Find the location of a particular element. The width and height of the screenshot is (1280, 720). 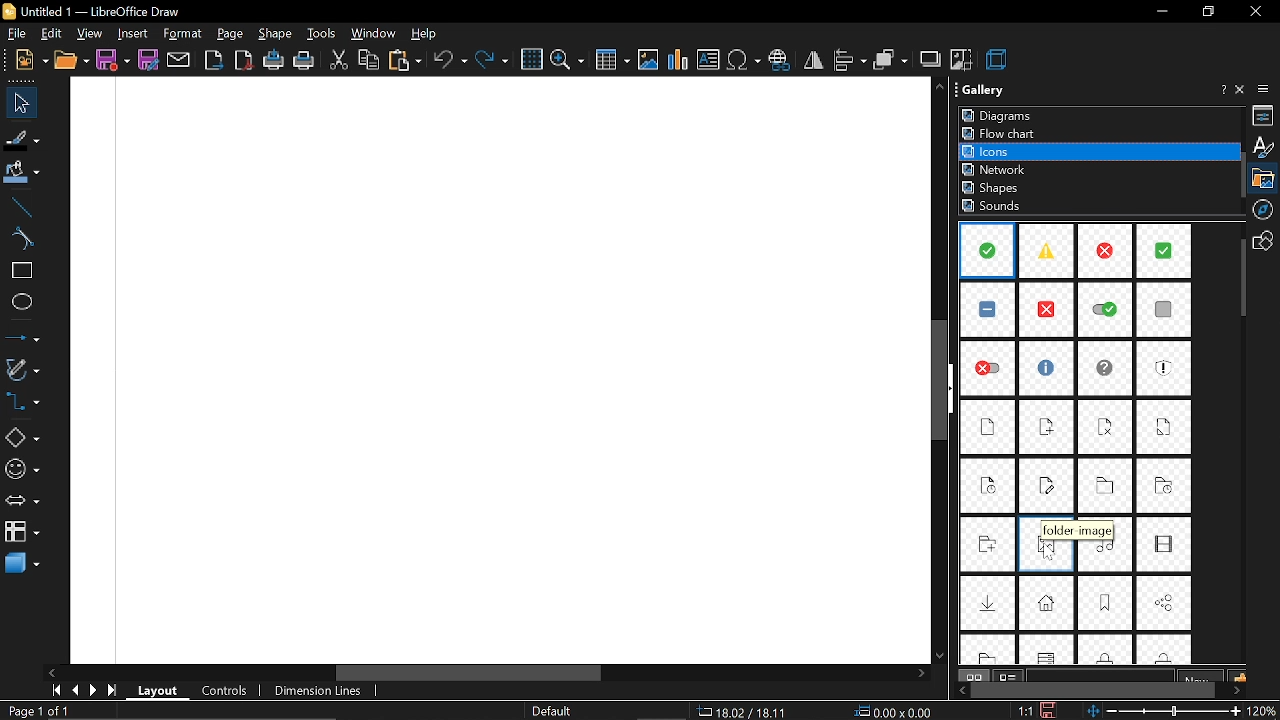

open is located at coordinates (71, 60).